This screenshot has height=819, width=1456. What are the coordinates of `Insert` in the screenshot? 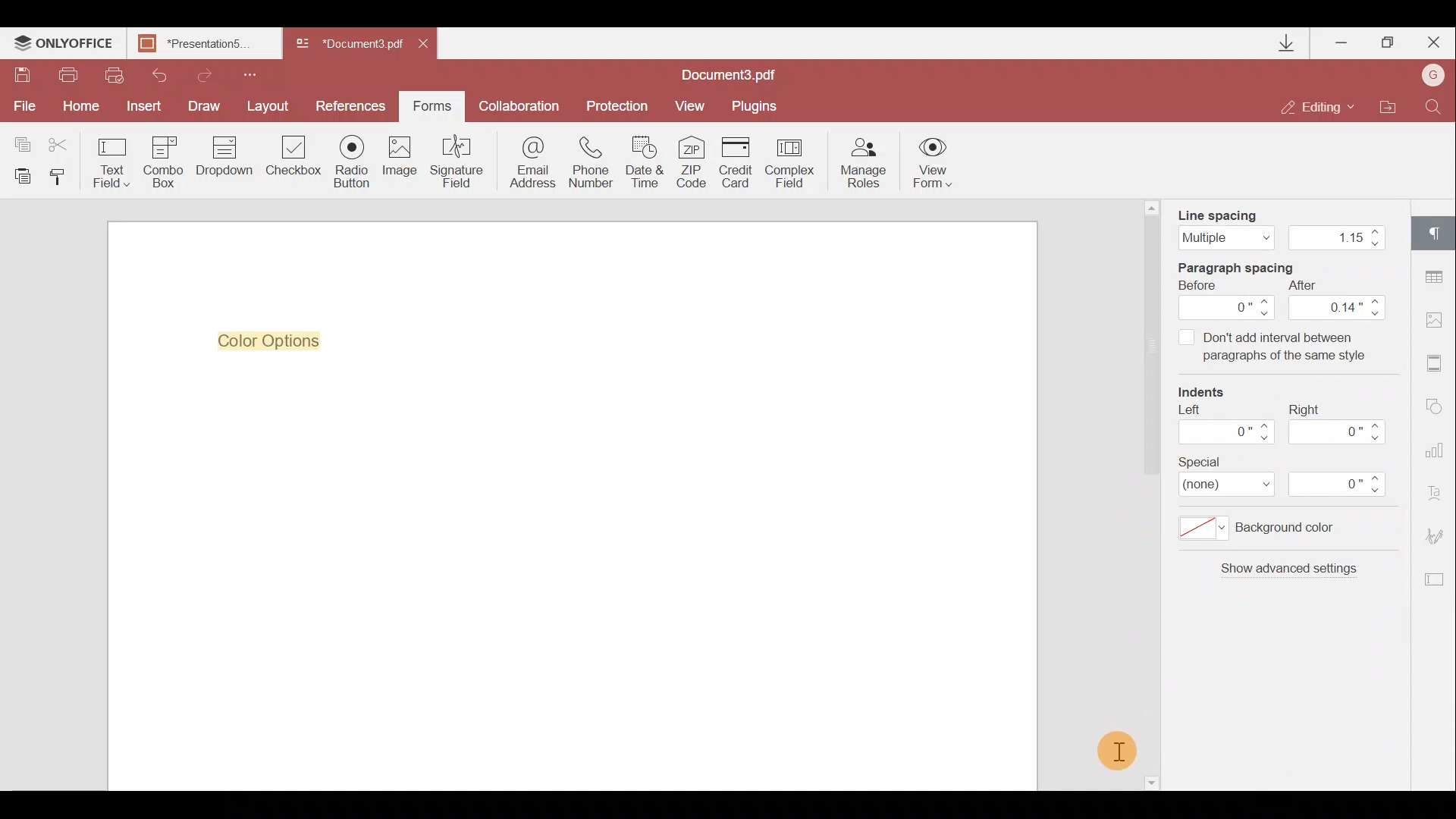 It's located at (147, 106).